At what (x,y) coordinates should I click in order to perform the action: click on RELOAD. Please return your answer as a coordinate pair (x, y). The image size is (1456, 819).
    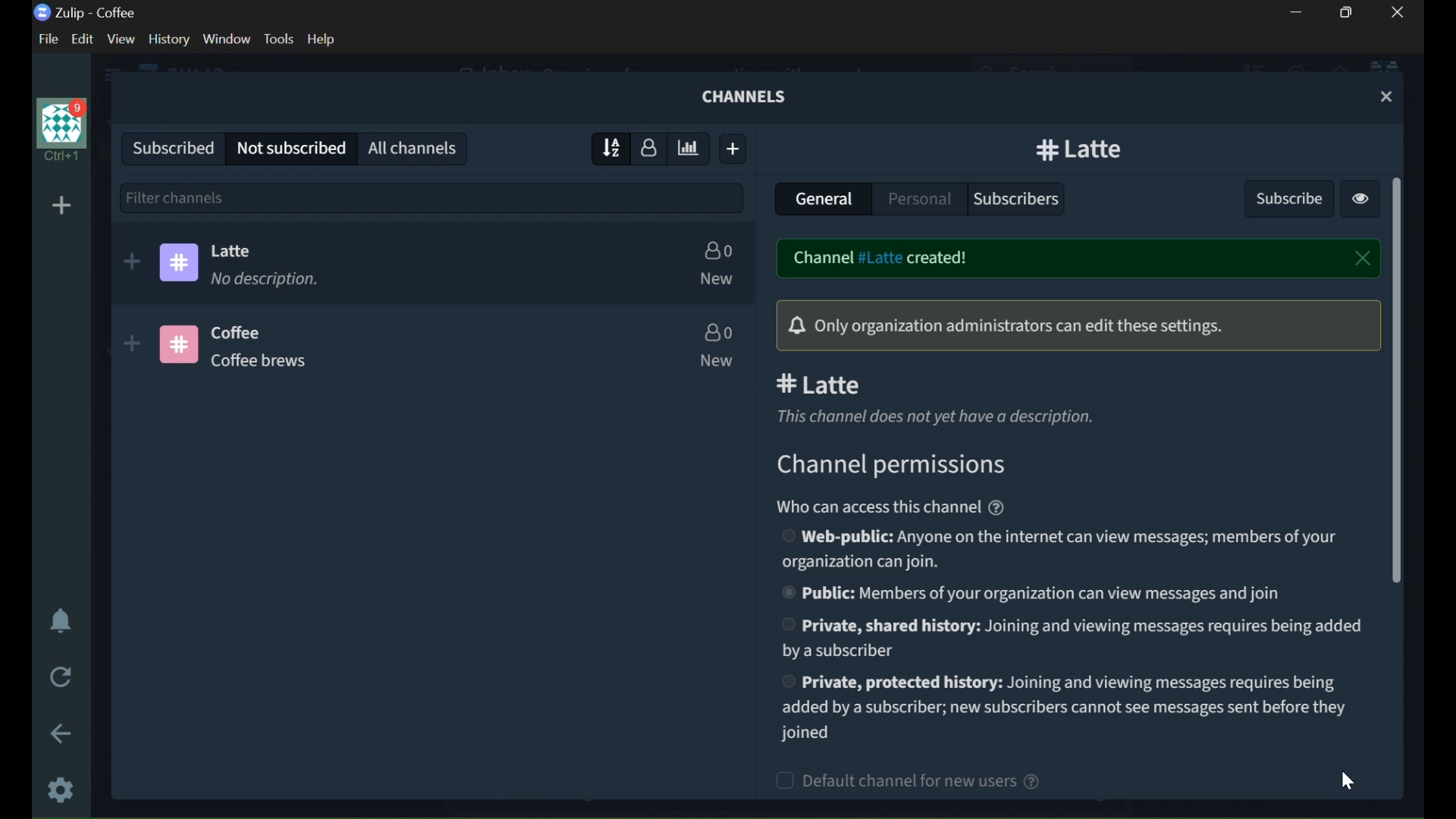
    Looking at the image, I should click on (63, 675).